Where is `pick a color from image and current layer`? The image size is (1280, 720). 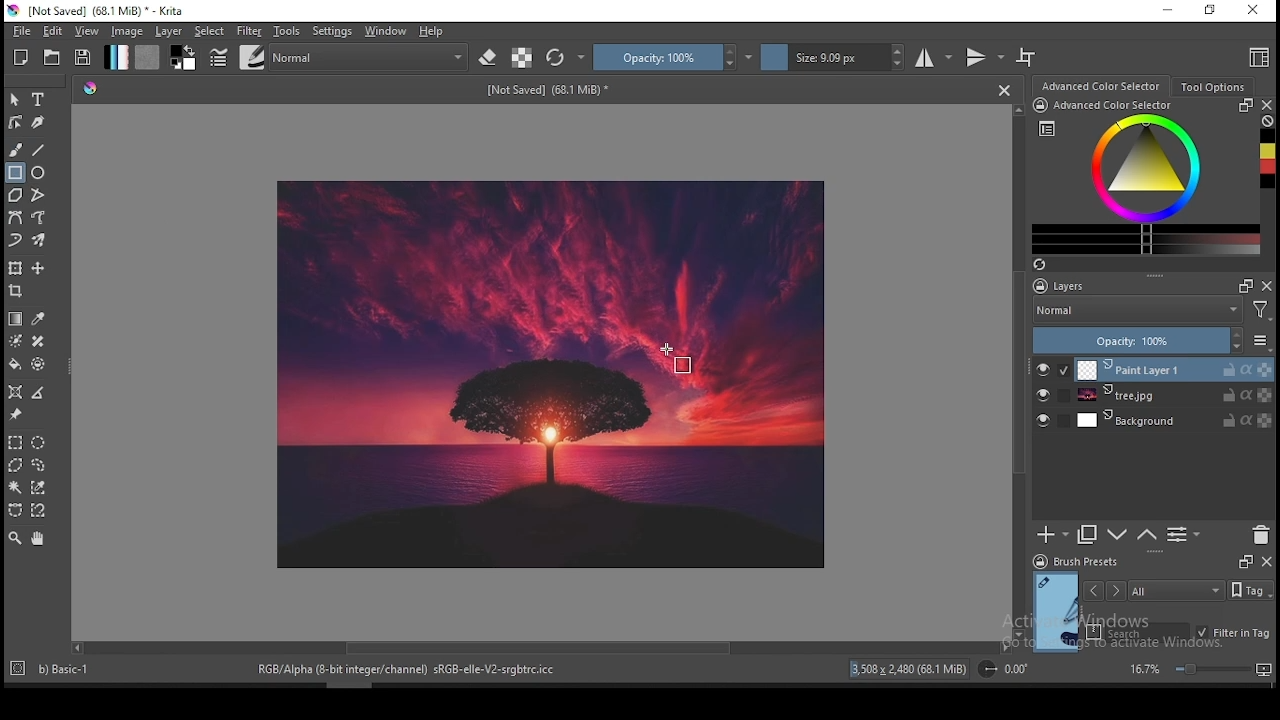 pick a color from image and current layer is located at coordinates (38, 318).